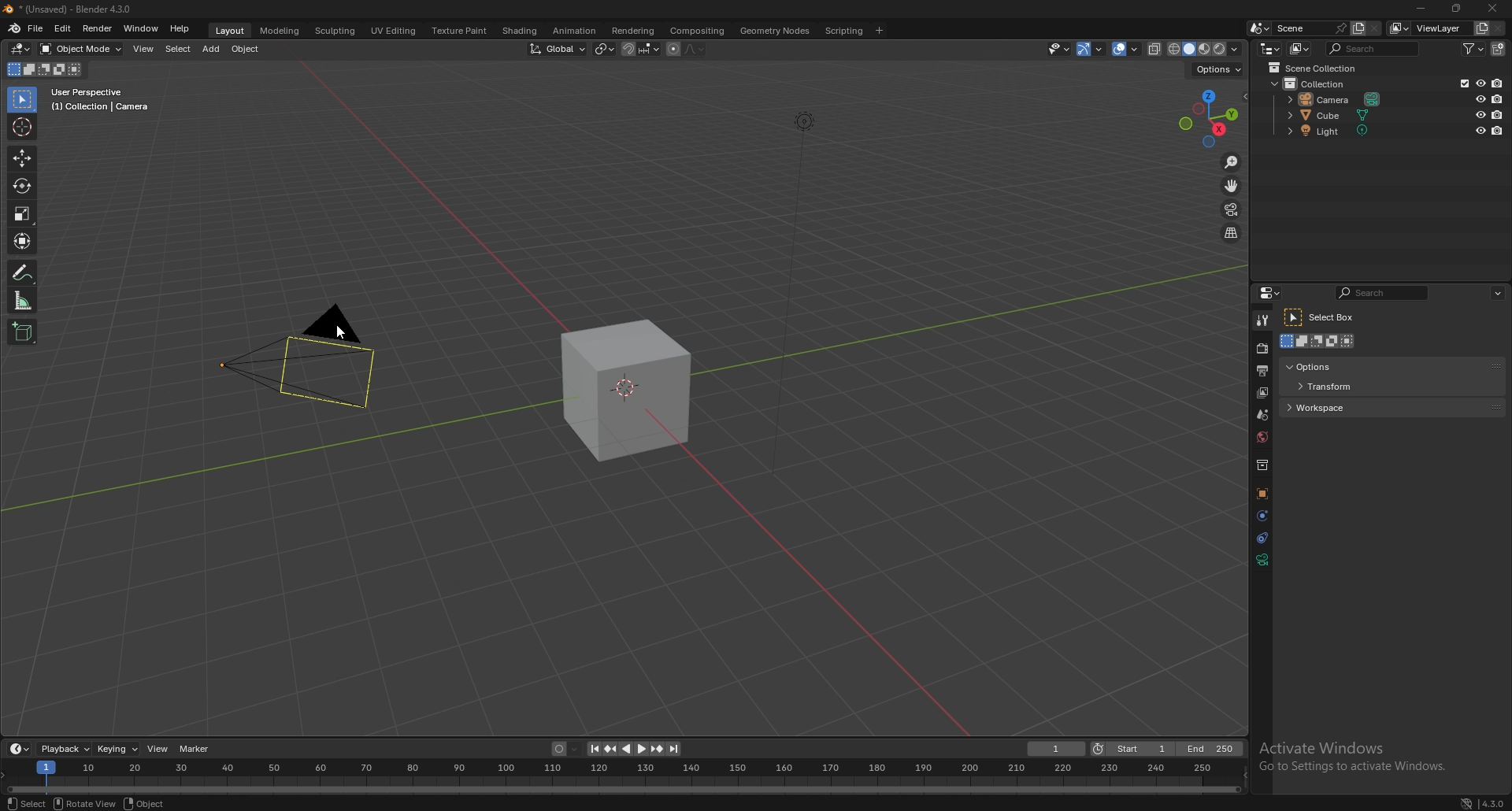 This screenshot has width=1512, height=811. What do you see at coordinates (1230, 161) in the screenshot?
I see `zoom` at bounding box center [1230, 161].